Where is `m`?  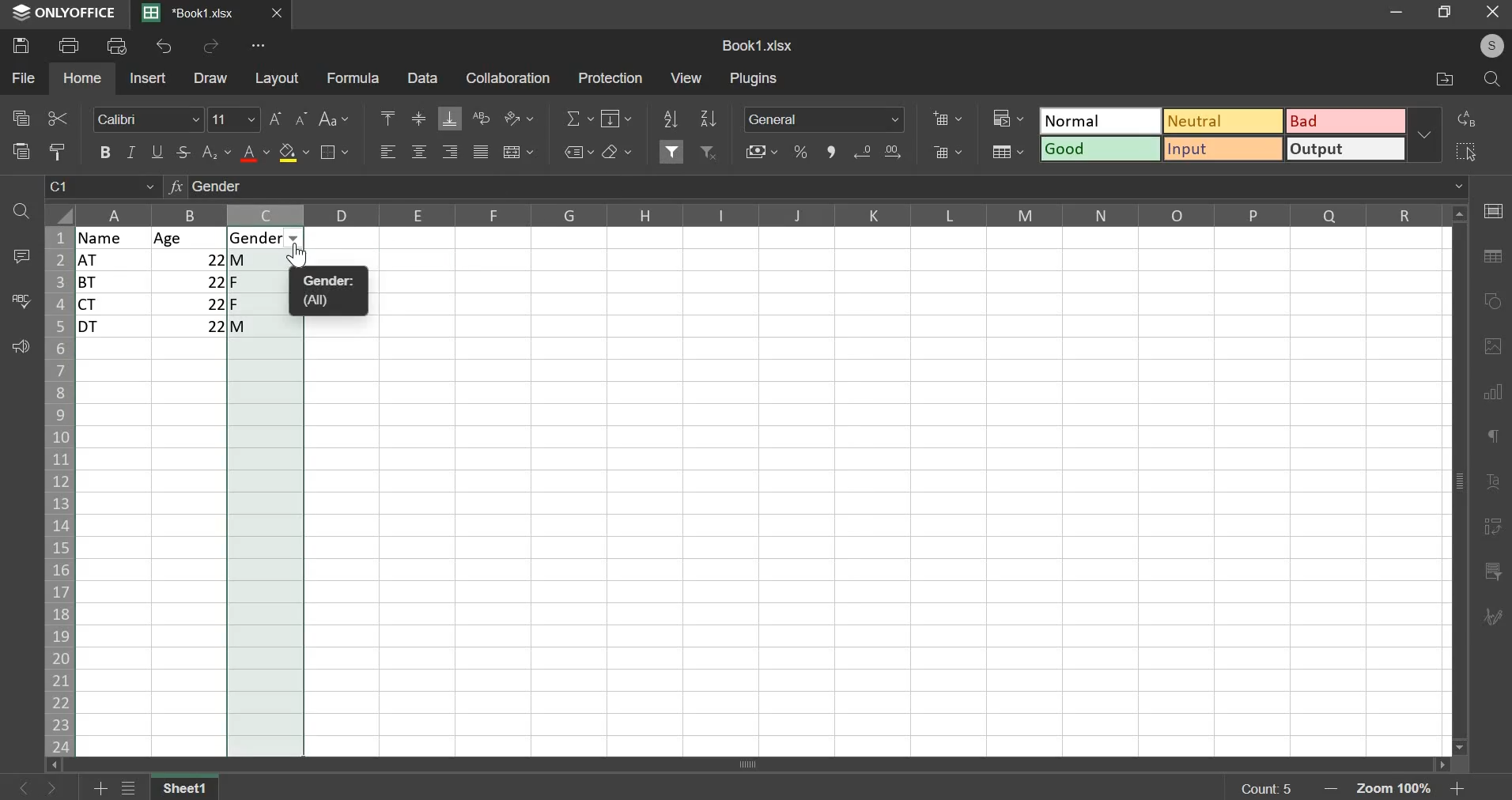 m is located at coordinates (266, 329).